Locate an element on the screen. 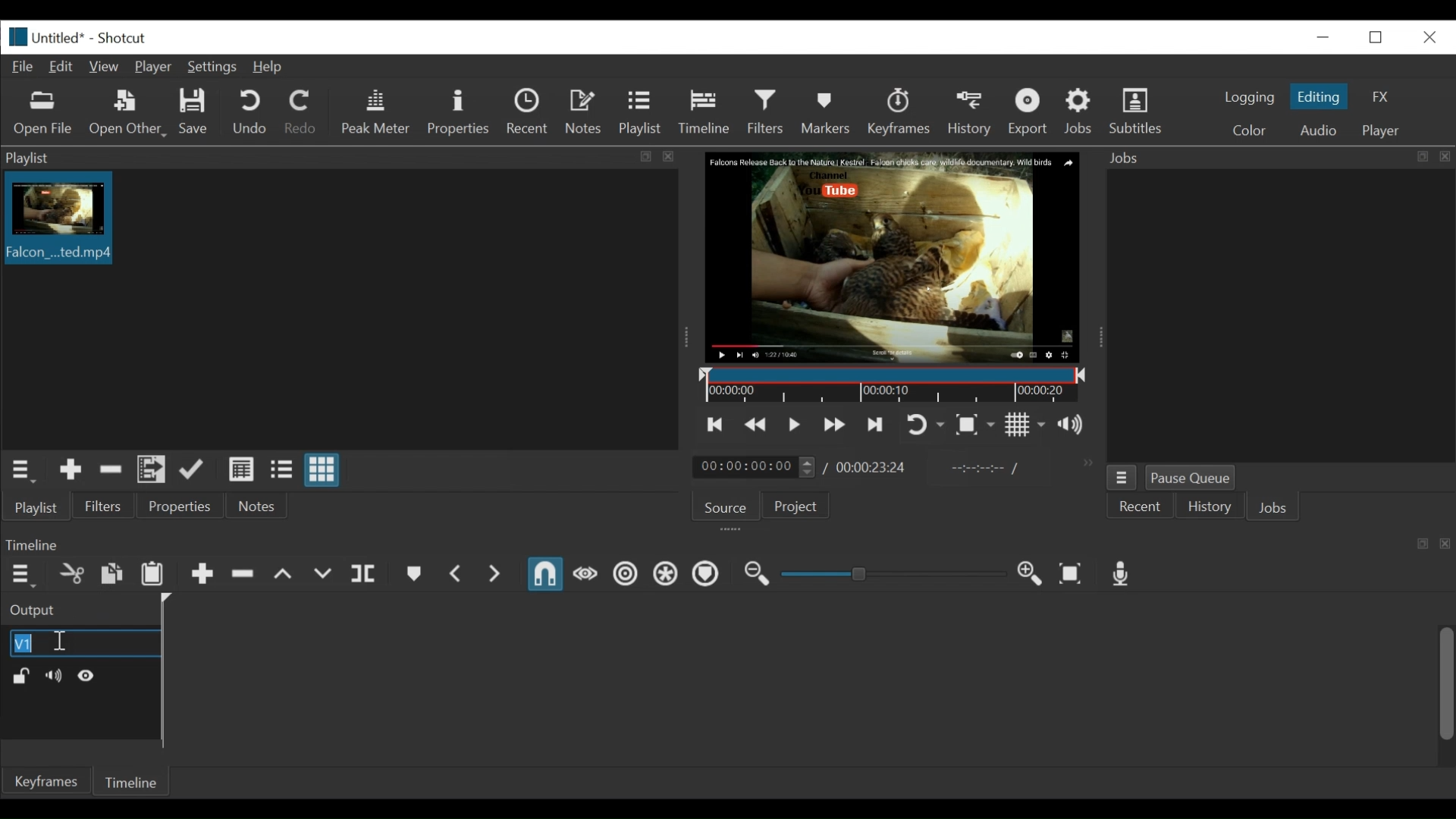  Append is located at coordinates (202, 576).